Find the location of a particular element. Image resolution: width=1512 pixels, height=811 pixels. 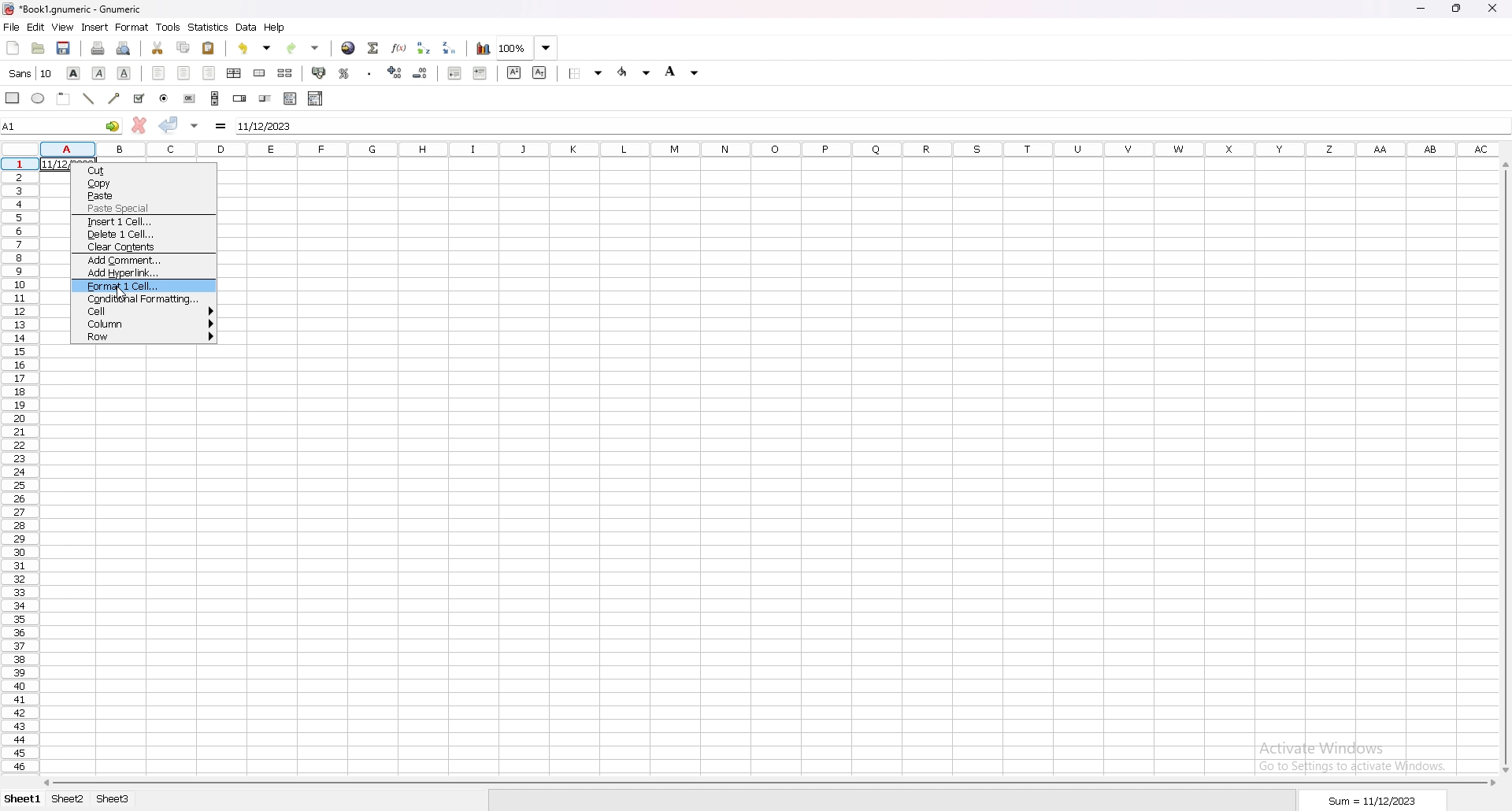

clear contents is located at coordinates (144, 247).